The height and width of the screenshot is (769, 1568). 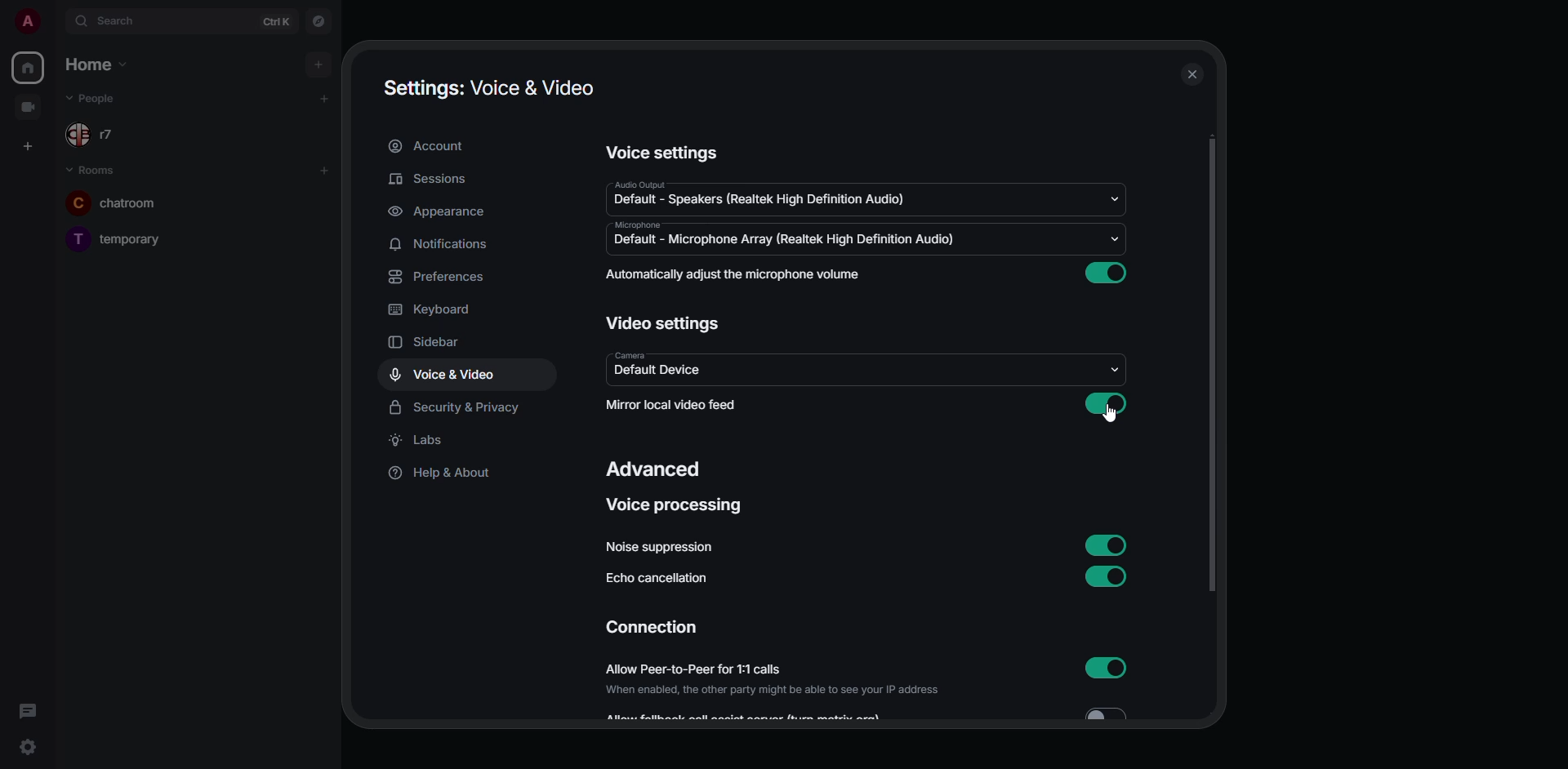 What do you see at coordinates (122, 238) in the screenshot?
I see `temporary` at bounding box center [122, 238].